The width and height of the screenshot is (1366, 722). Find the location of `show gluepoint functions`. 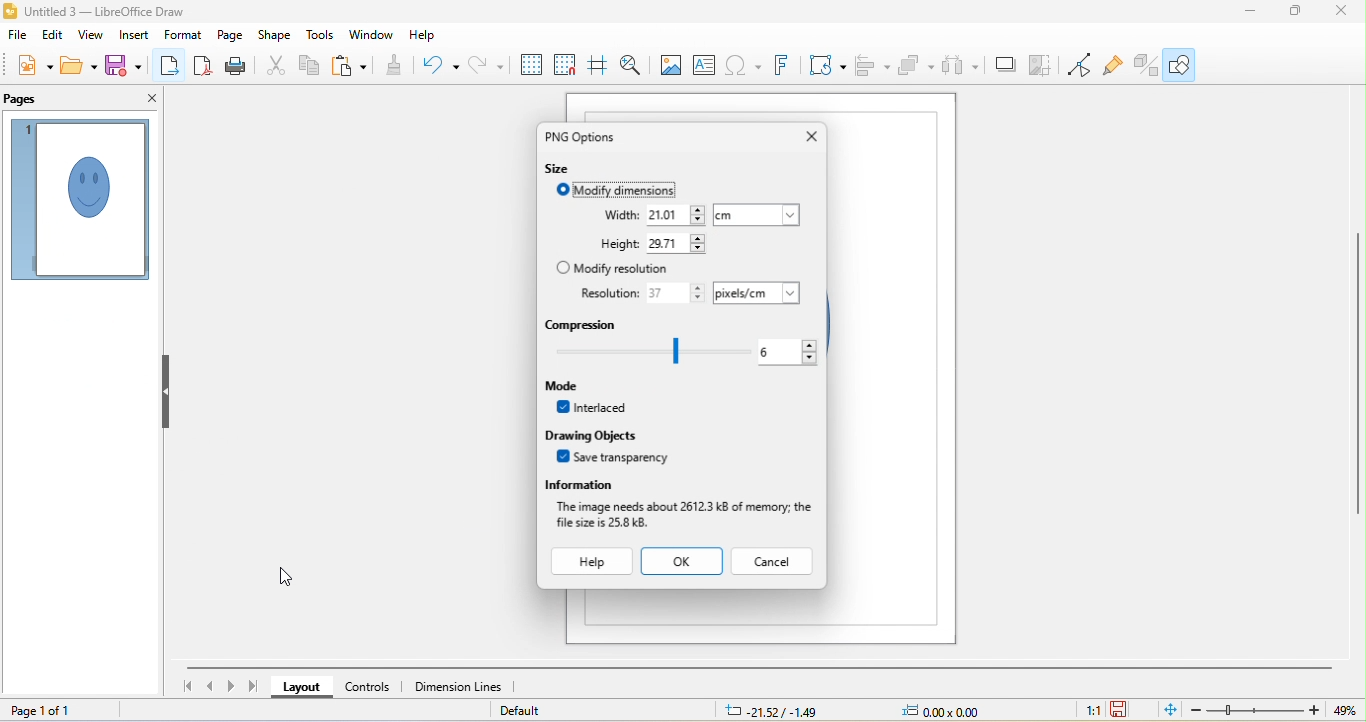

show gluepoint functions is located at coordinates (1112, 69).